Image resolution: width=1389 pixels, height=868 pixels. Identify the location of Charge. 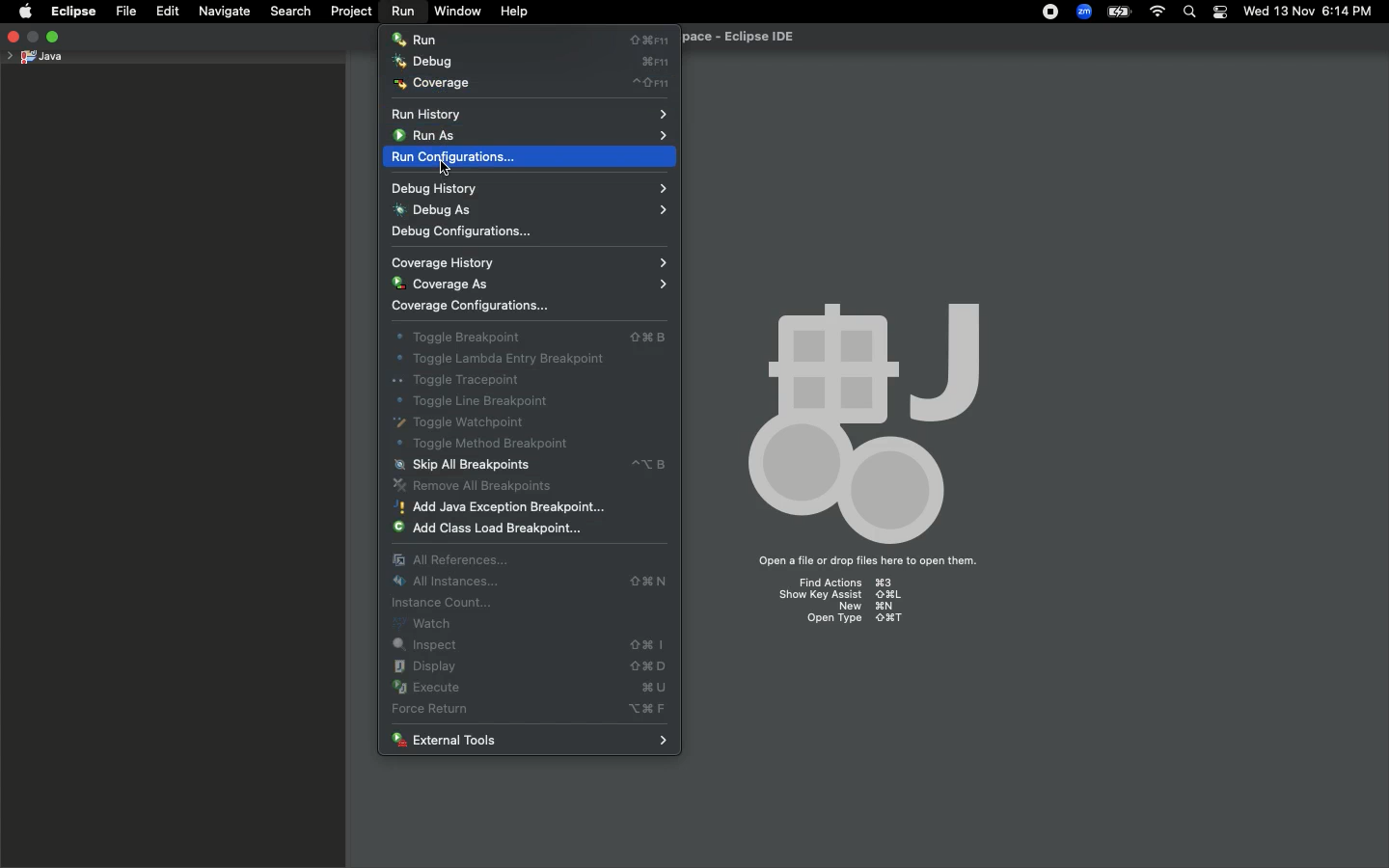
(1119, 14).